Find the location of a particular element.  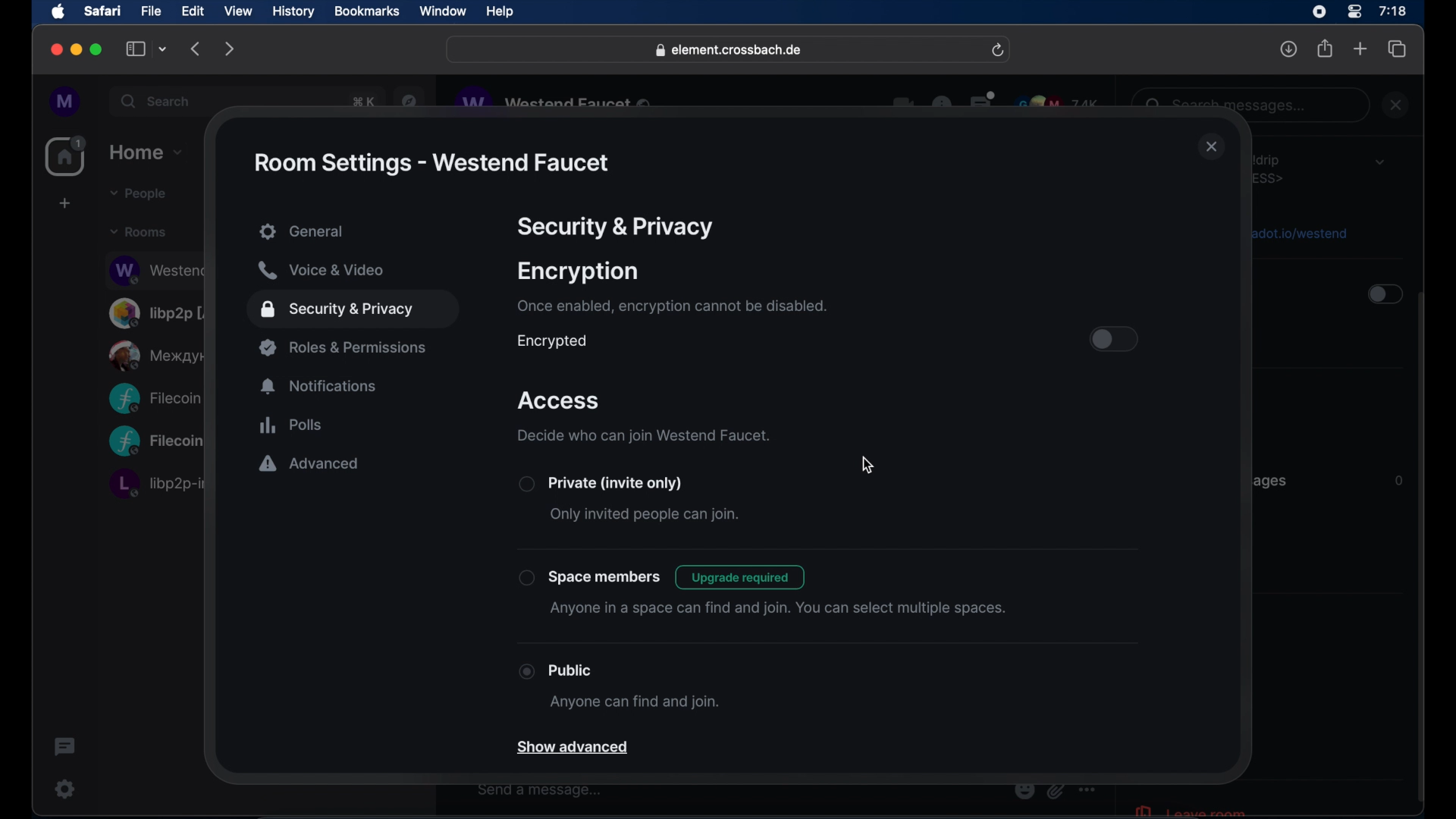

minimize is located at coordinates (77, 49).